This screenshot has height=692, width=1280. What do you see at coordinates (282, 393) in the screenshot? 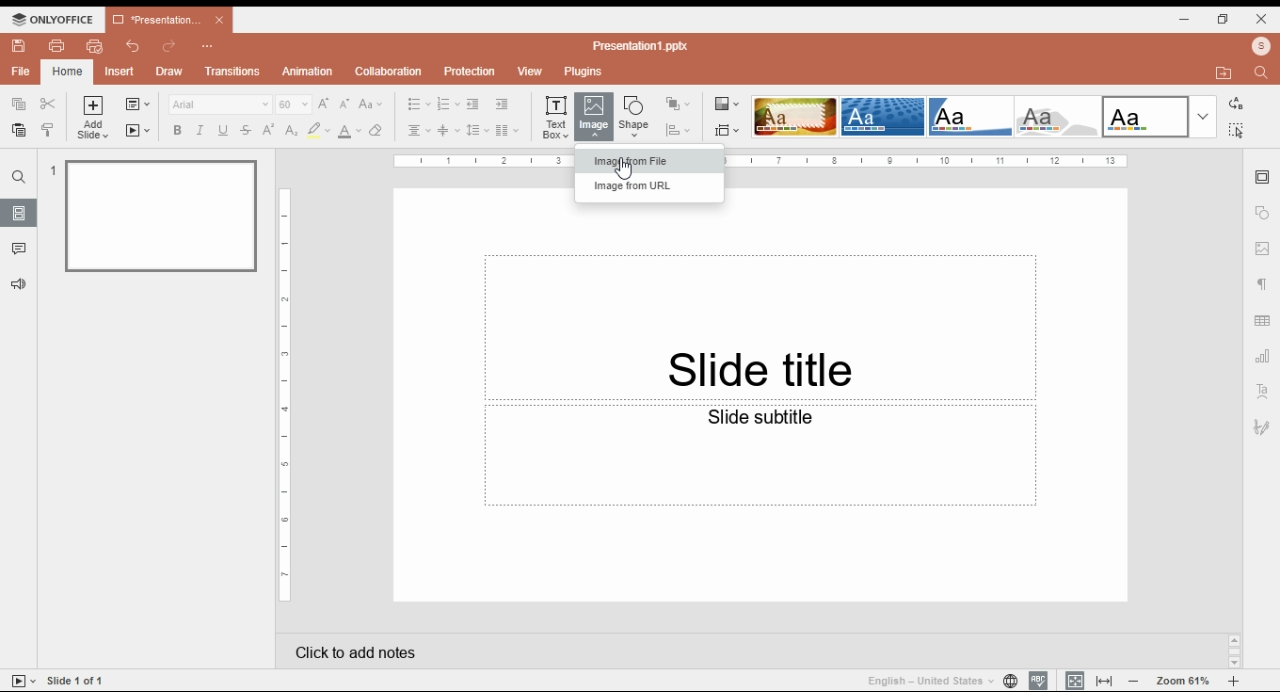
I see `Scale` at bounding box center [282, 393].